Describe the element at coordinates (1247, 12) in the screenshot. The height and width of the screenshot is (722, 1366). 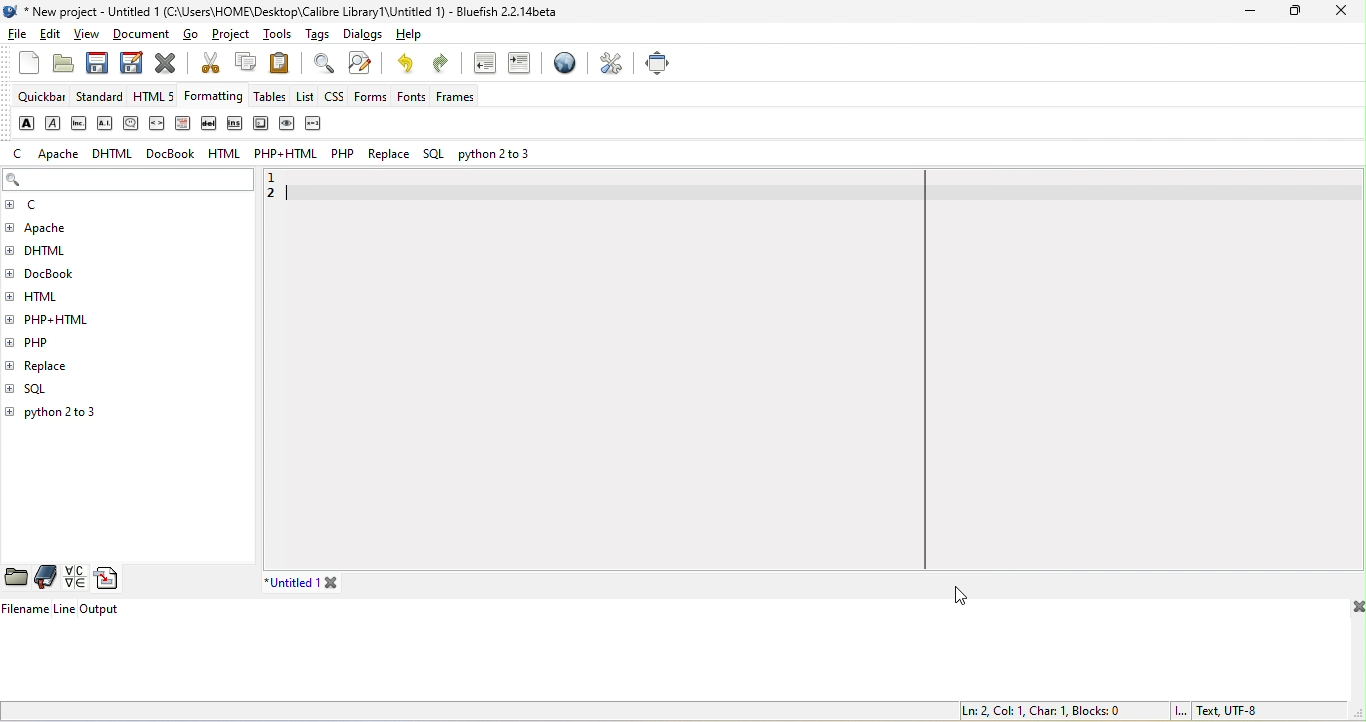
I see `minimize` at that location.